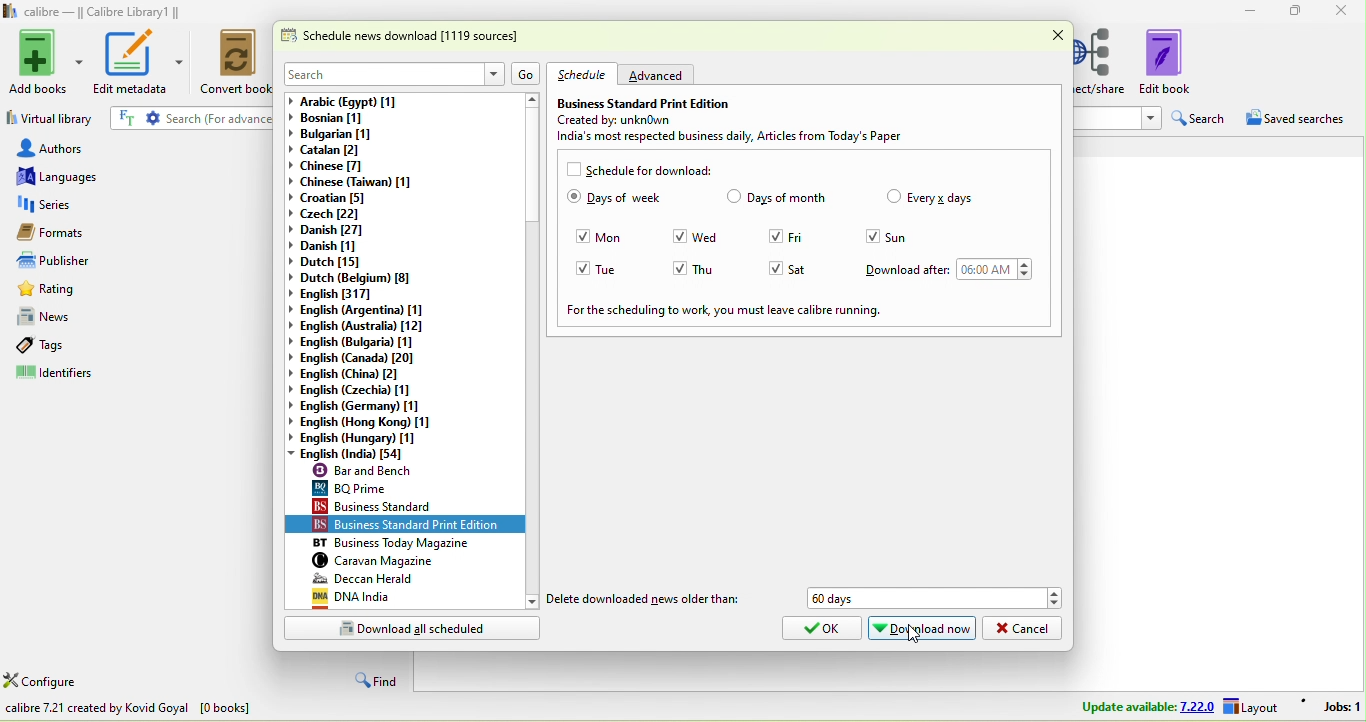 The image size is (1366, 722). What do you see at coordinates (680, 236) in the screenshot?
I see `Checkbox` at bounding box center [680, 236].